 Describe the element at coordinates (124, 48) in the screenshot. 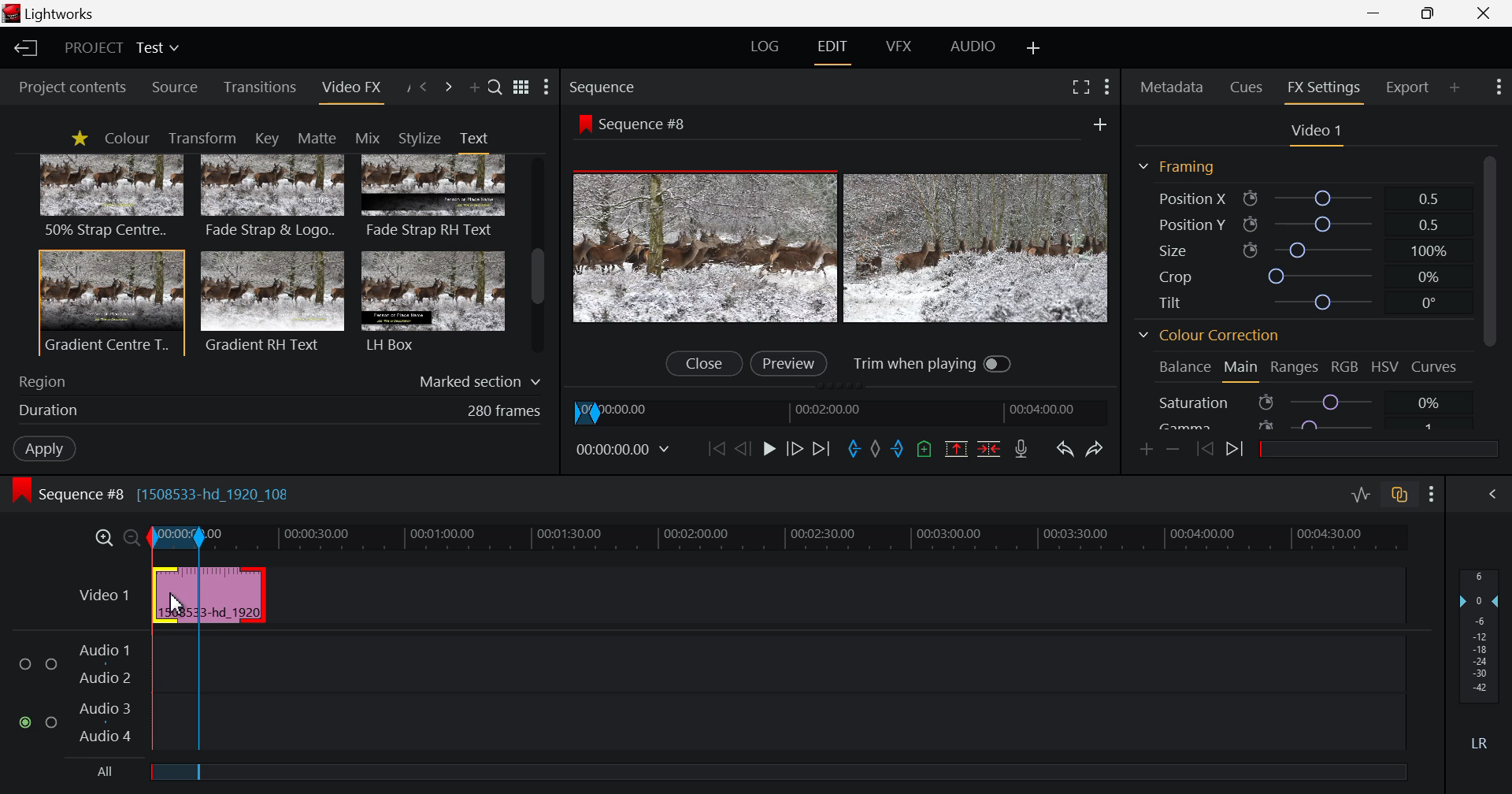

I see `Project title` at that location.